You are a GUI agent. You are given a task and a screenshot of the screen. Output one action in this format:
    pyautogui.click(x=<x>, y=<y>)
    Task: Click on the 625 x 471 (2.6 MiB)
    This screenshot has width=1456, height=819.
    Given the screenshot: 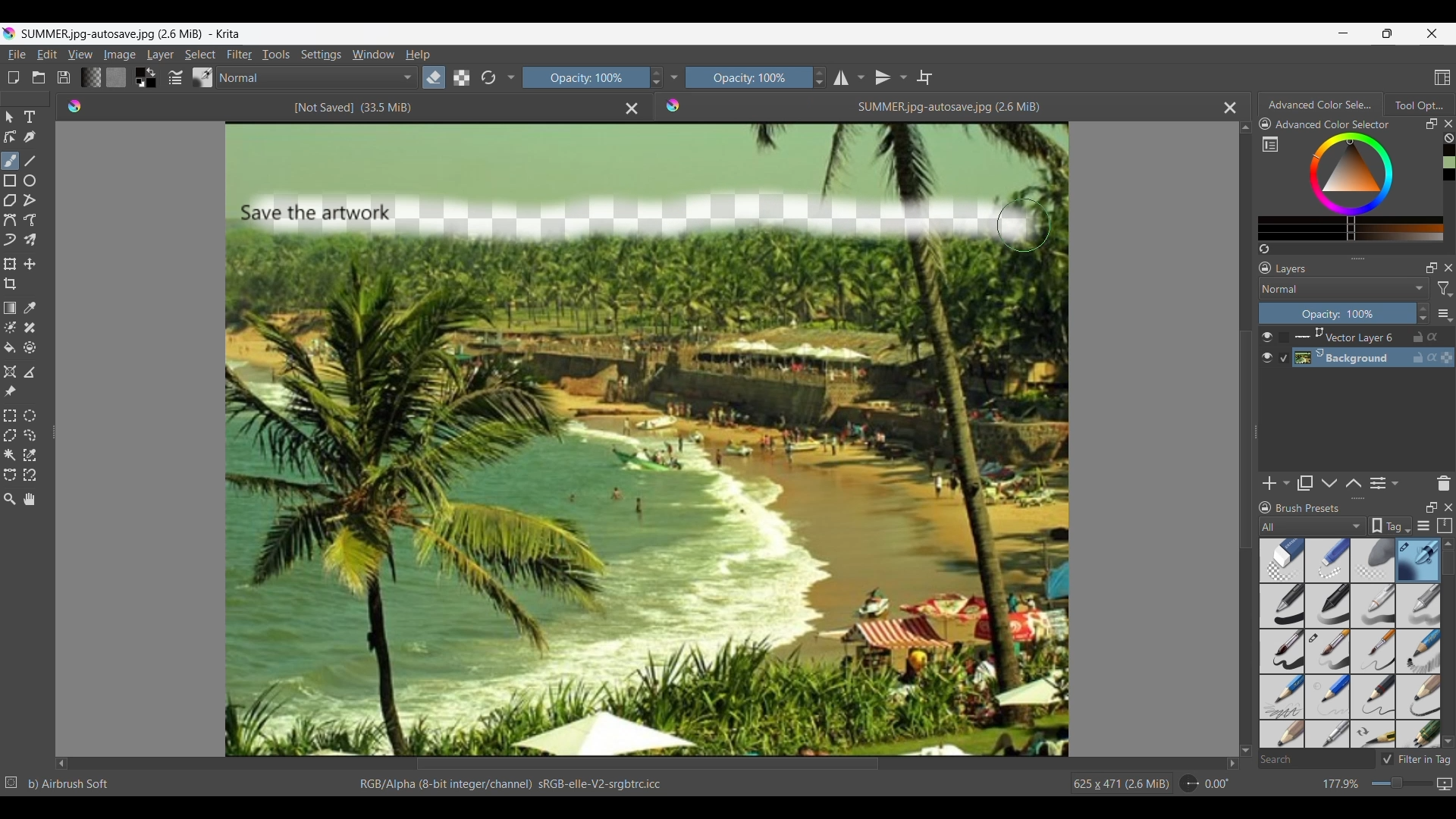 What is the action you would take?
    pyautogui.click(x=1119, y=784)
    